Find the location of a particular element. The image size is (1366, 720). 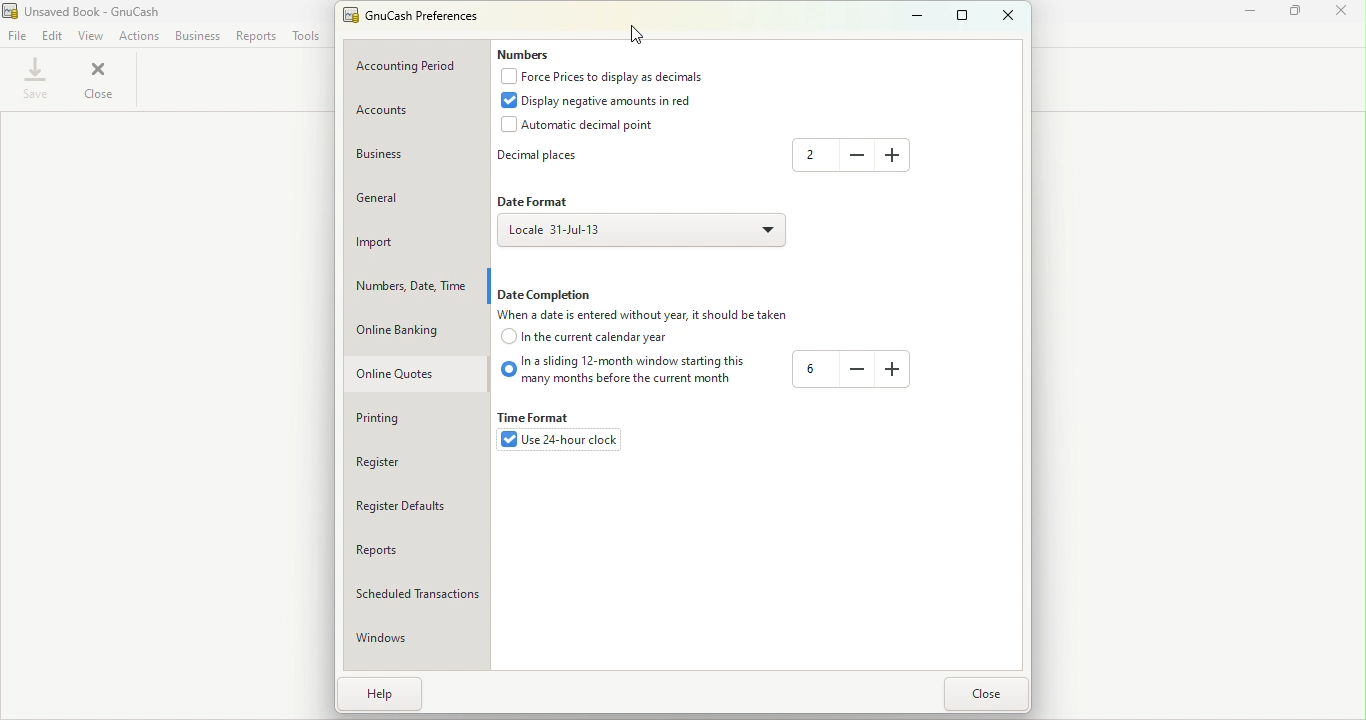

- is located at coordinates (851, 154).